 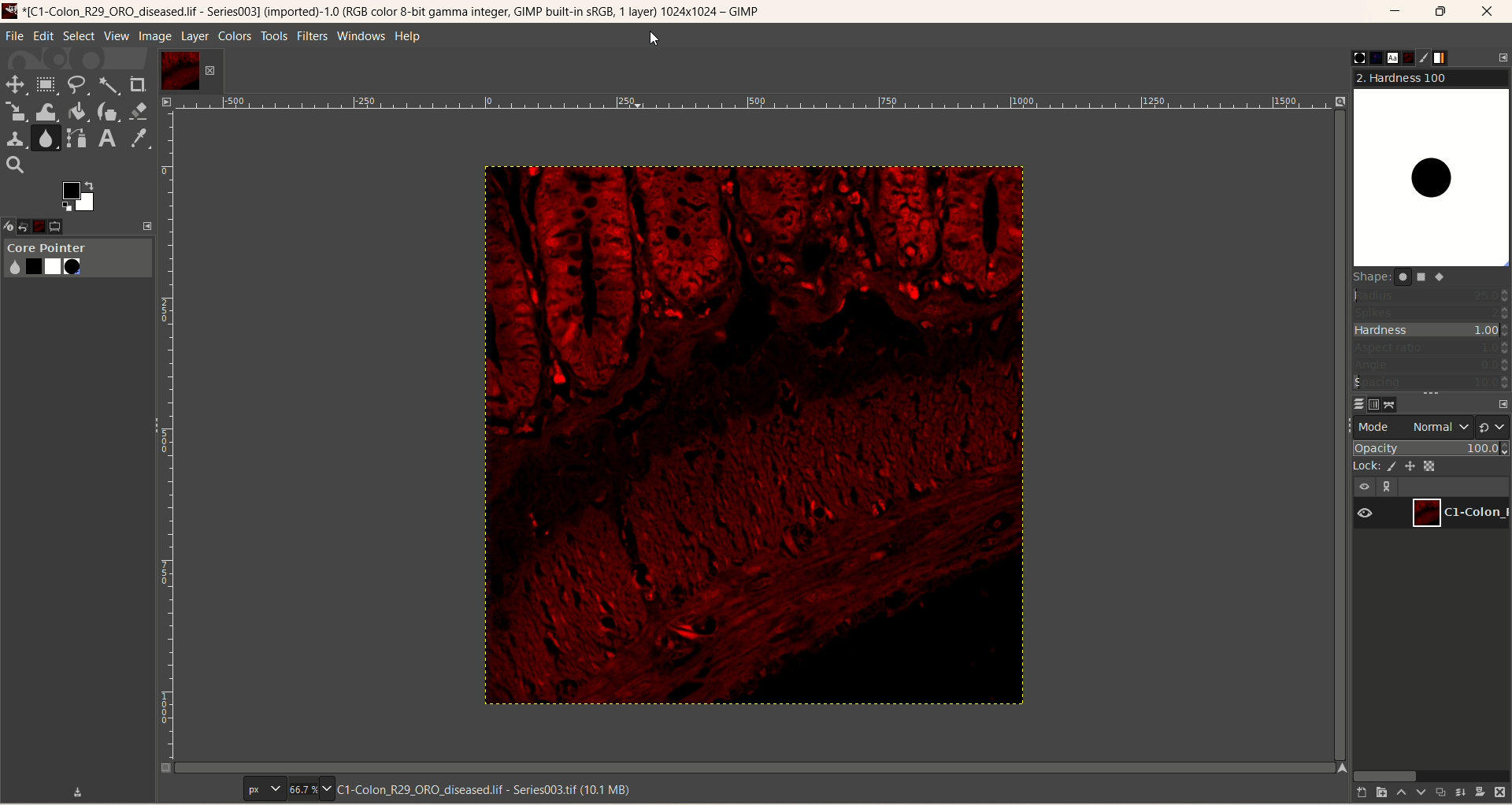 I want to click on move tool, so click(x=13, y=83).